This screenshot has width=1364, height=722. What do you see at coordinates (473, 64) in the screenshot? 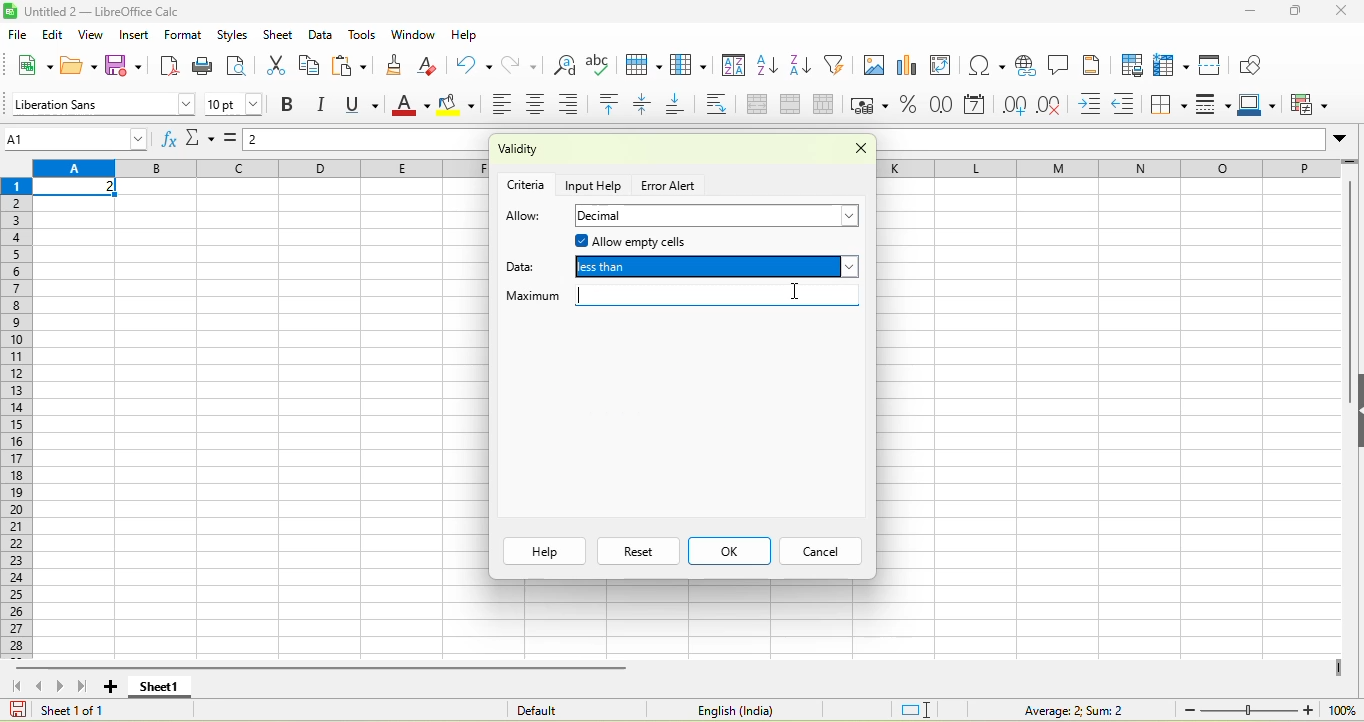
I see `undo` at bounding box center [473, 64].